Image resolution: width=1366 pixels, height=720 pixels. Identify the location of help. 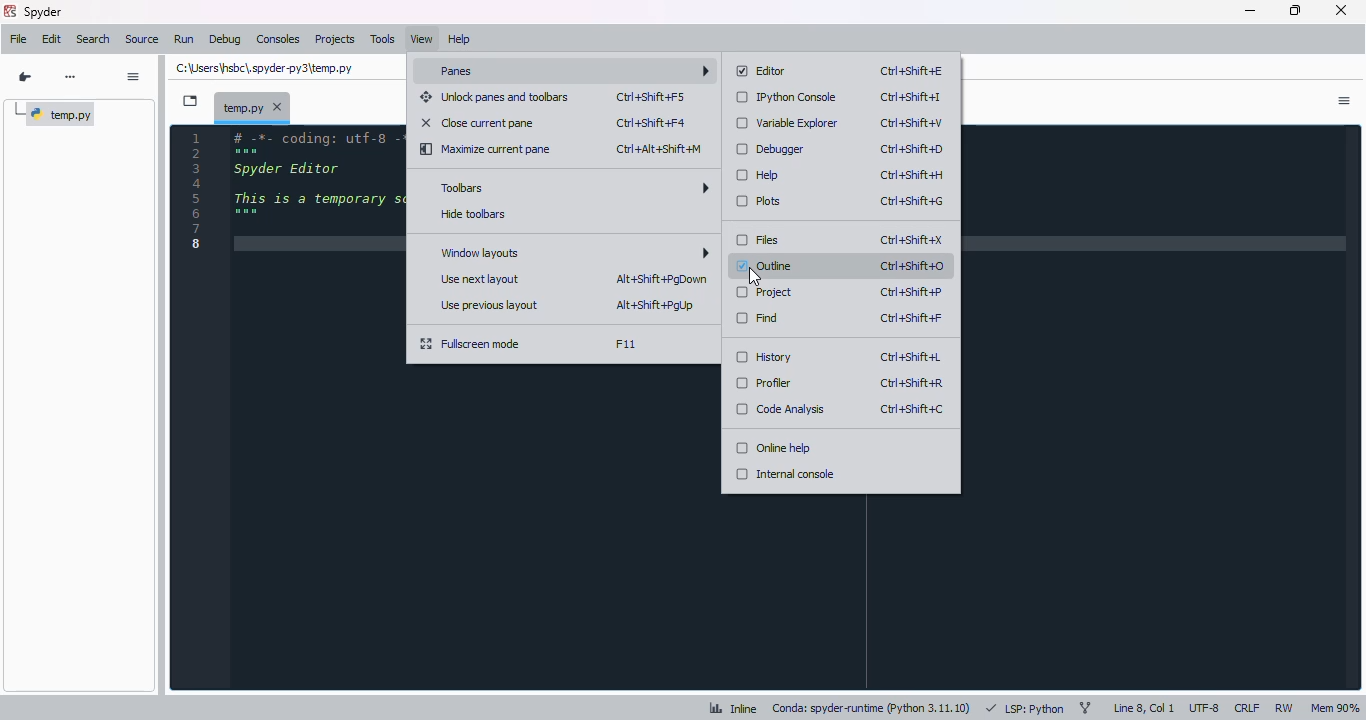
(459, 40).